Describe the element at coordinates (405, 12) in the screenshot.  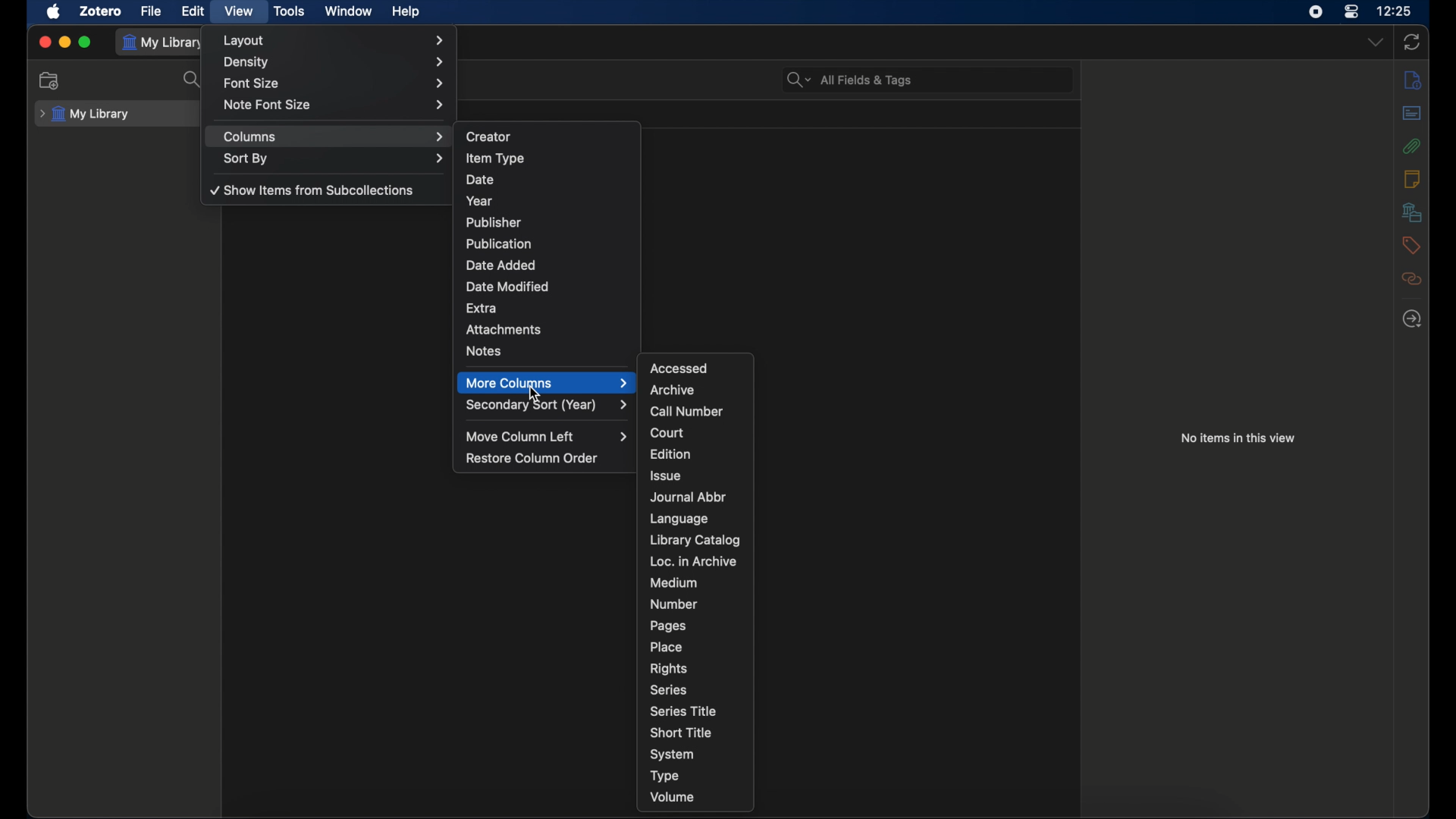
I see `help` at that location.